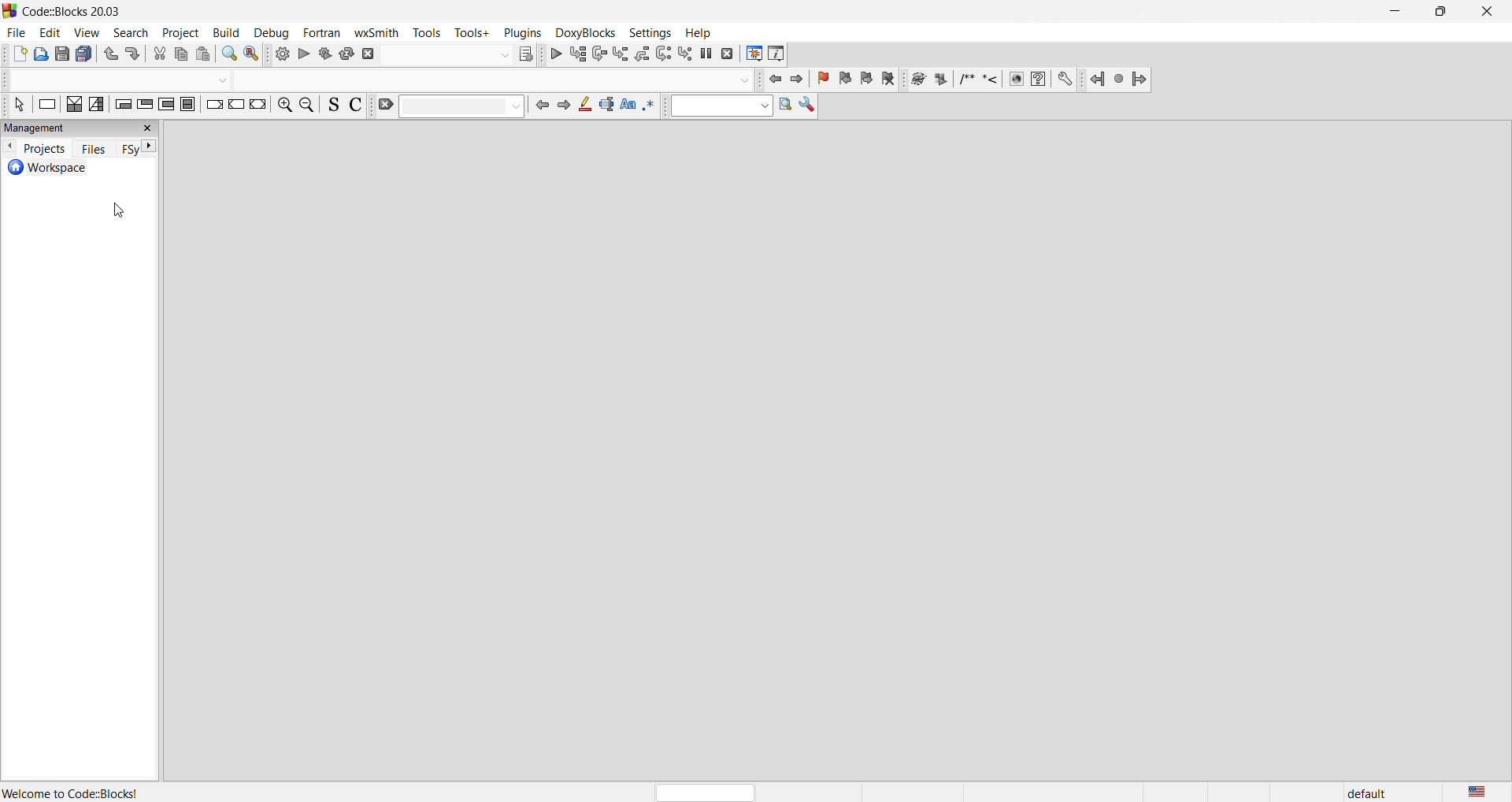 This screenshot has width=1512, height=802. Describe the element at coordinates (378, 34) in the screenshot. I see `wxSmith` at that location.